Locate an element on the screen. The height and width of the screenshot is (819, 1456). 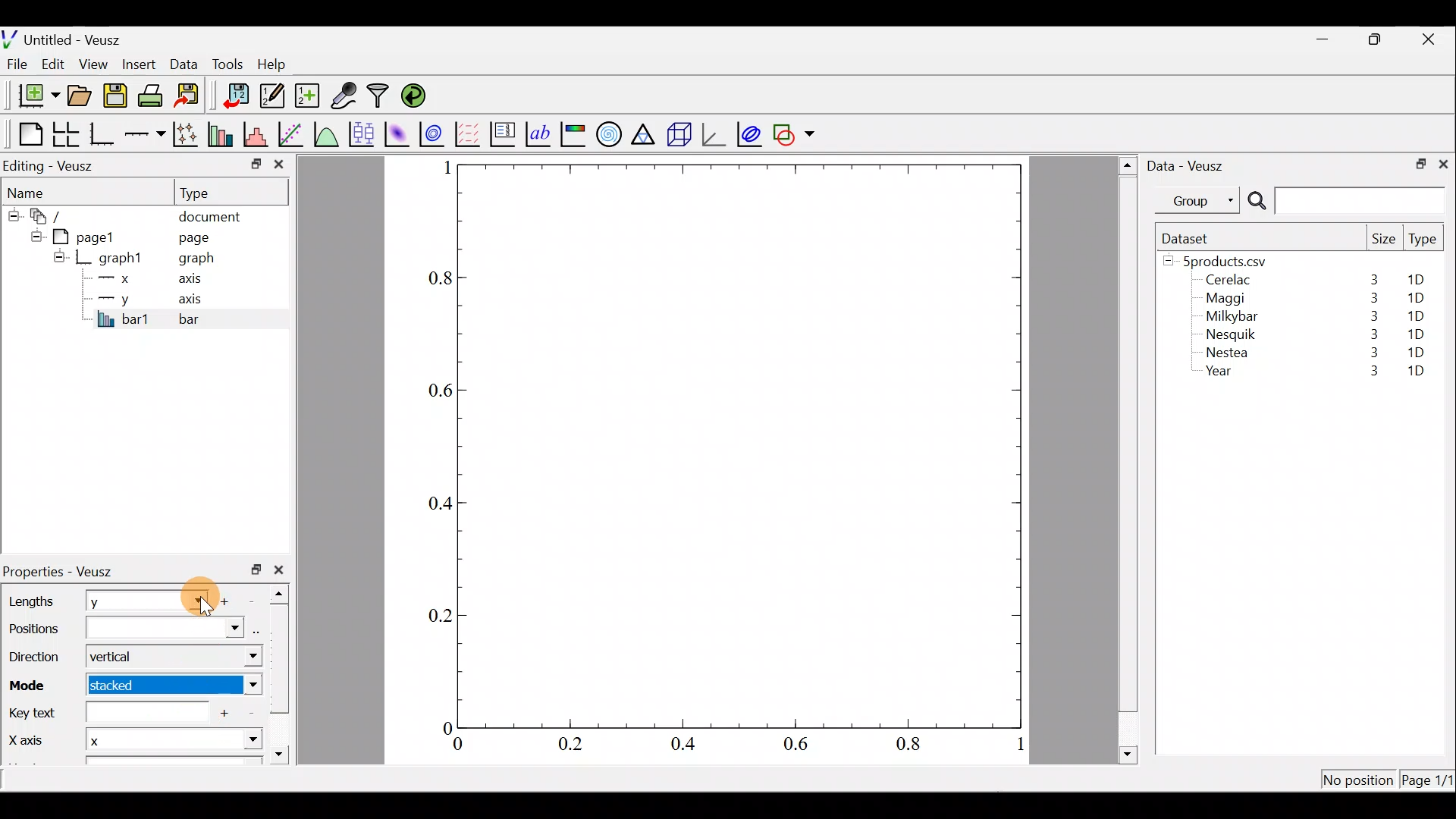
hide is located at coordinates (33, 234).